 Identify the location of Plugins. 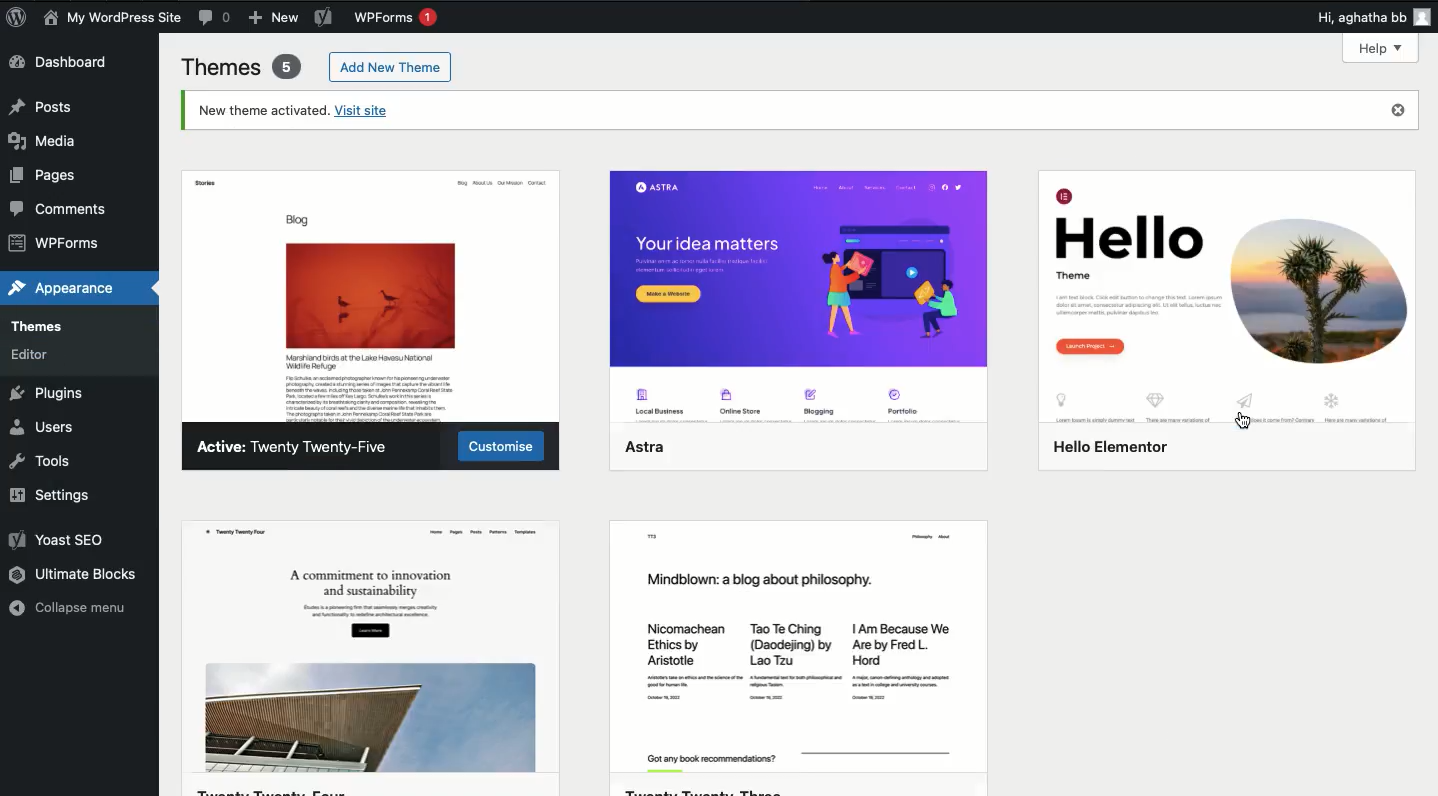
(51, 390).